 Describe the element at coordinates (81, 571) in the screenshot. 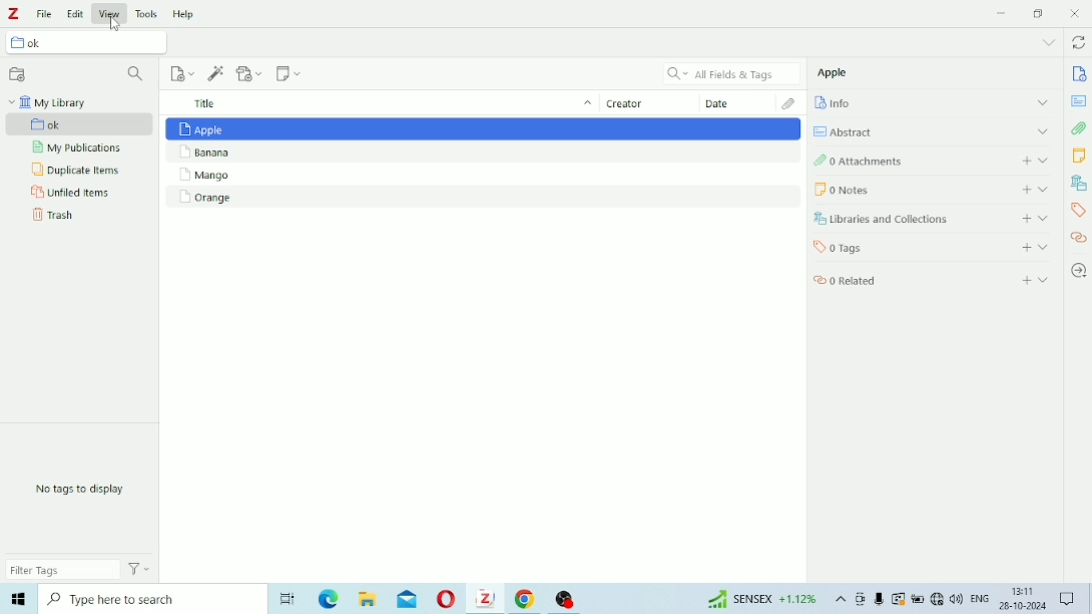

I see `Filter Tags.` at that location.